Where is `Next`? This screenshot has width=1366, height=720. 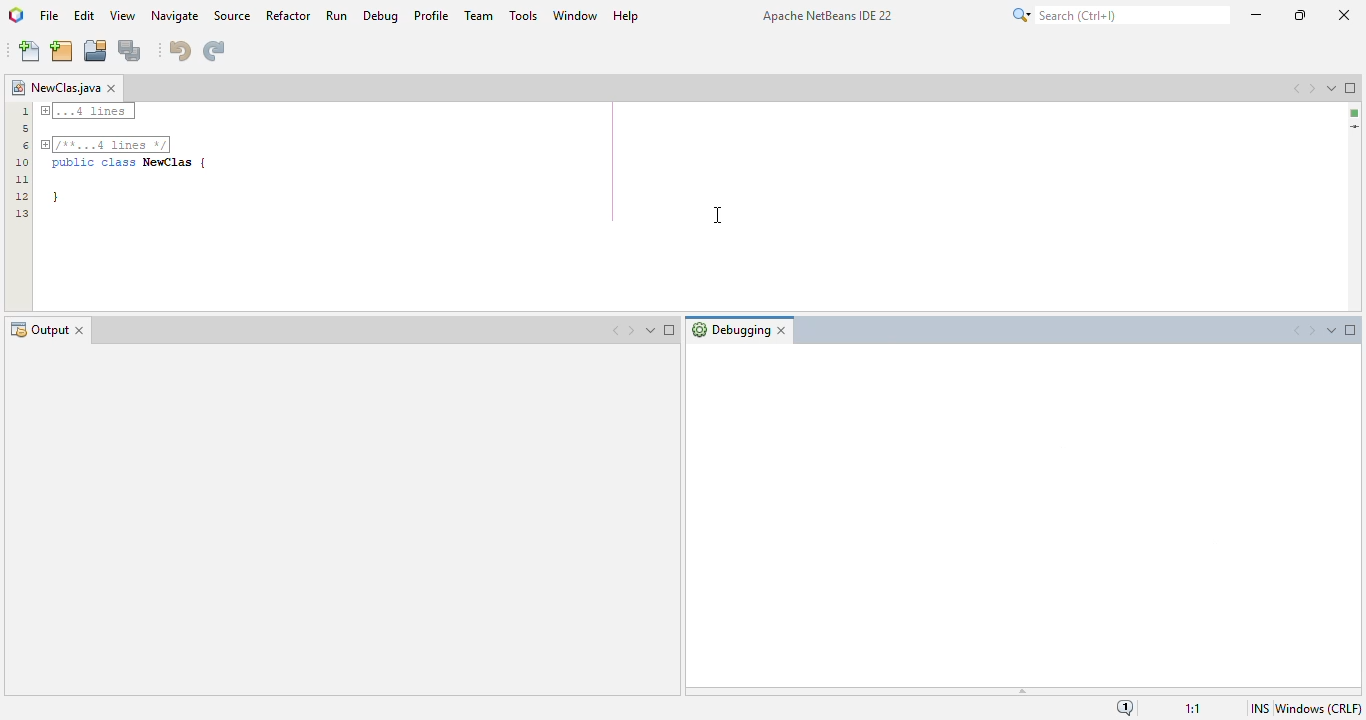
Next is located at coordinates (1312, 331).